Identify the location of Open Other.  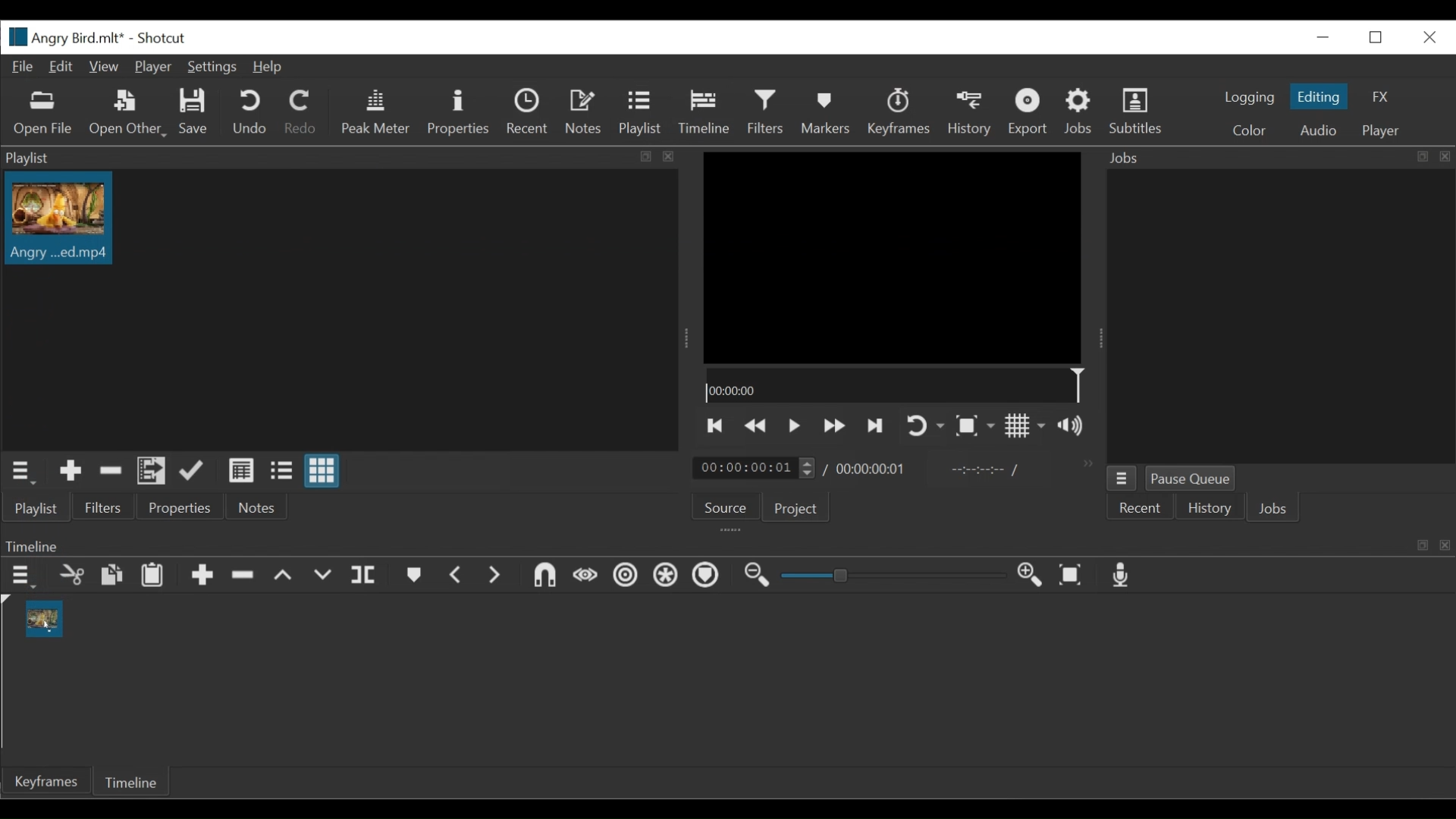
(129, 113).